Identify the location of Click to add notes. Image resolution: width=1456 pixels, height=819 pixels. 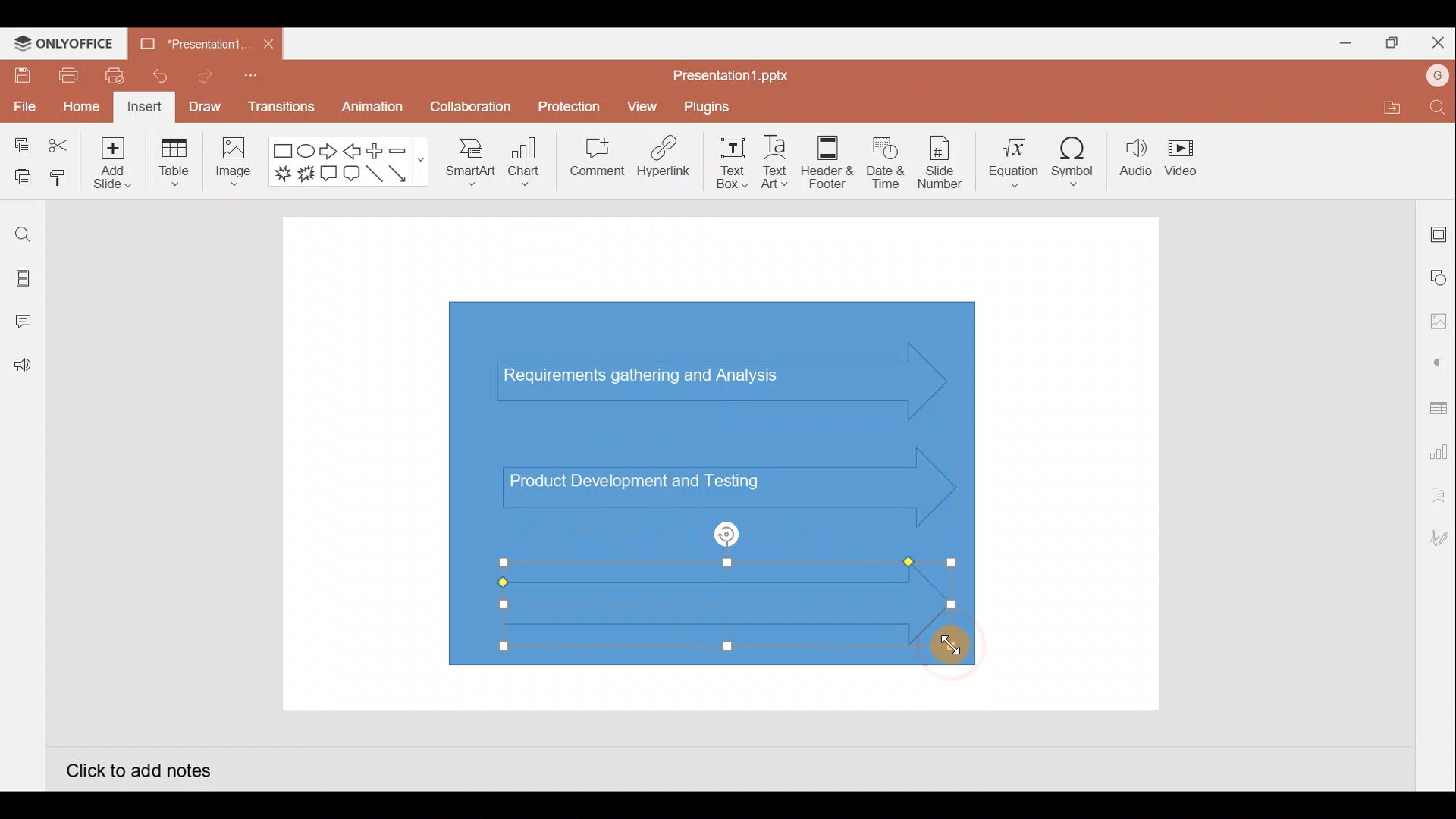
(138, 769).